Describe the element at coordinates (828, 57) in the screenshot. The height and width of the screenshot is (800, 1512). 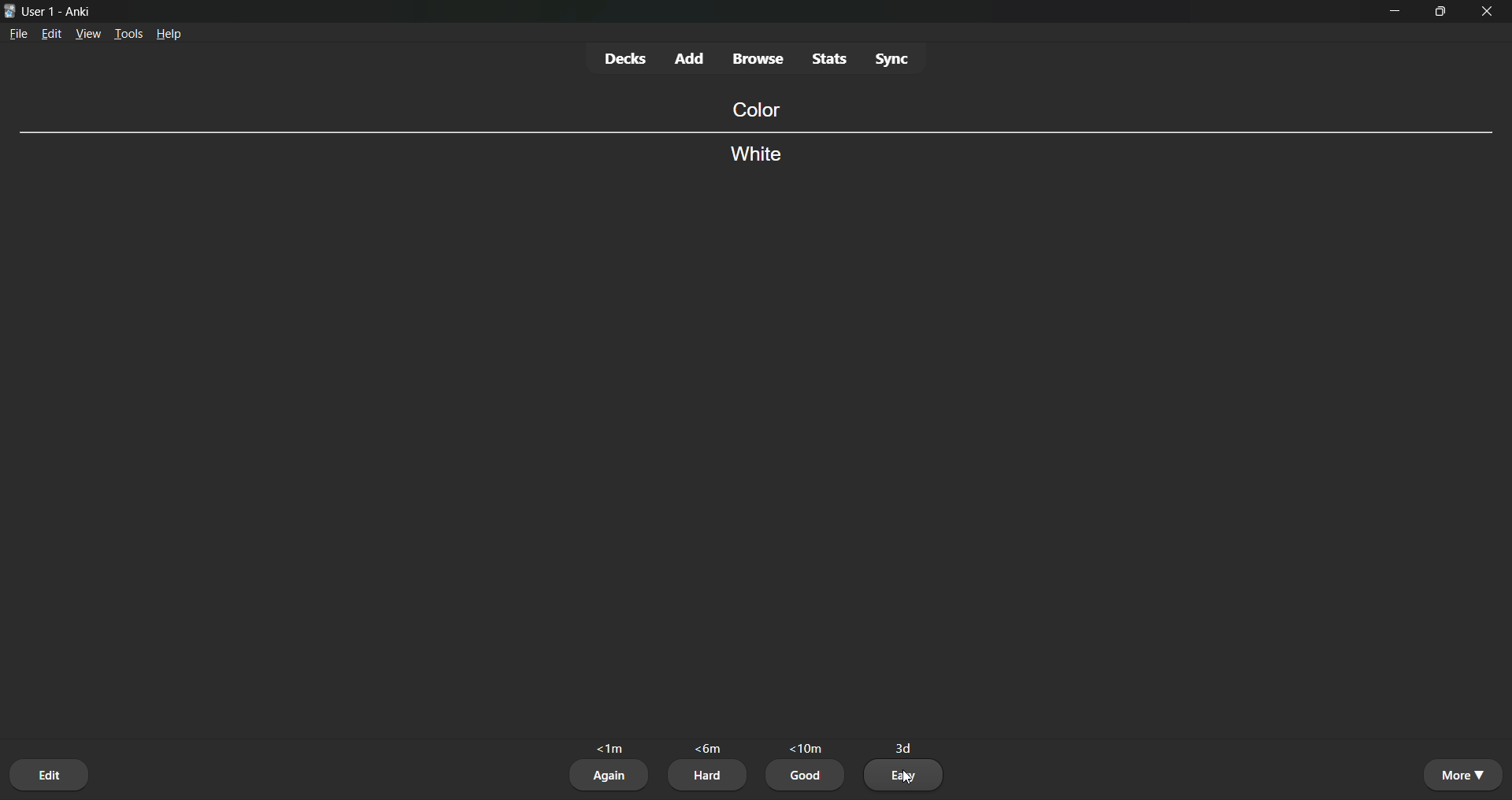
I see `stats` at that location.